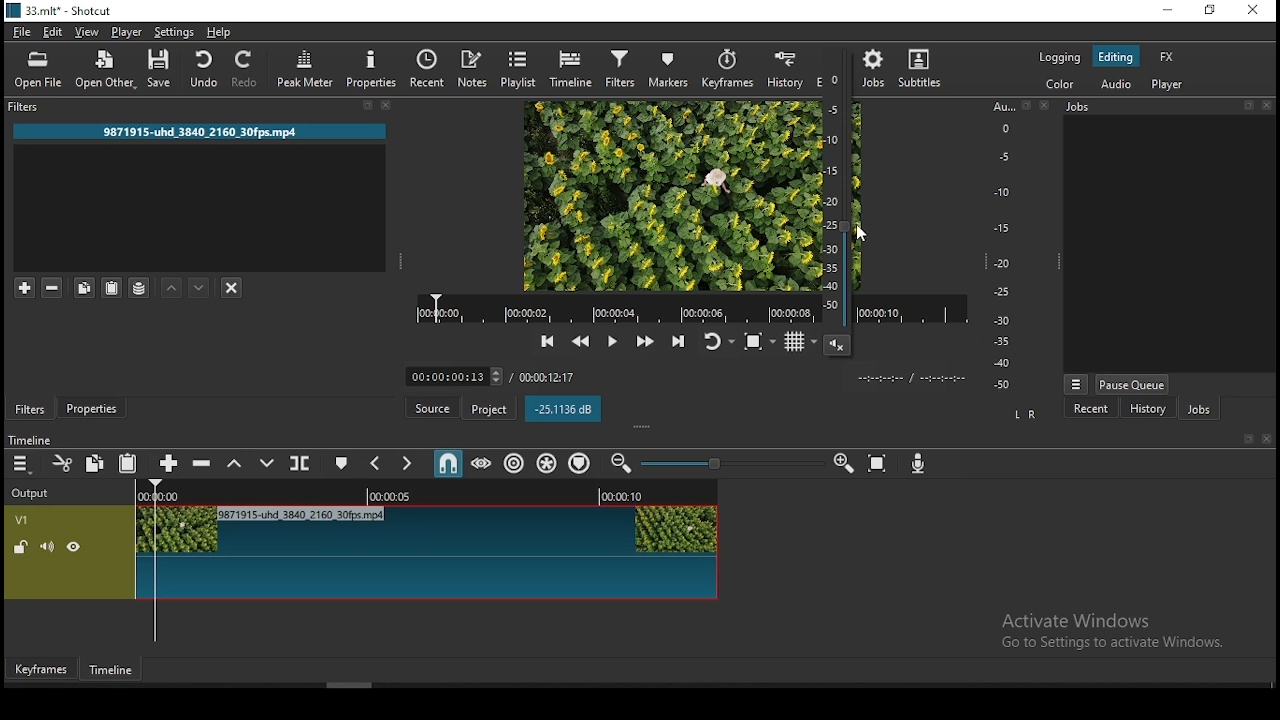 This screenshot has height=720, width=1280. Describe the element at coordinates (727, 69) in the screenshot. I see `keyframes` at that location.